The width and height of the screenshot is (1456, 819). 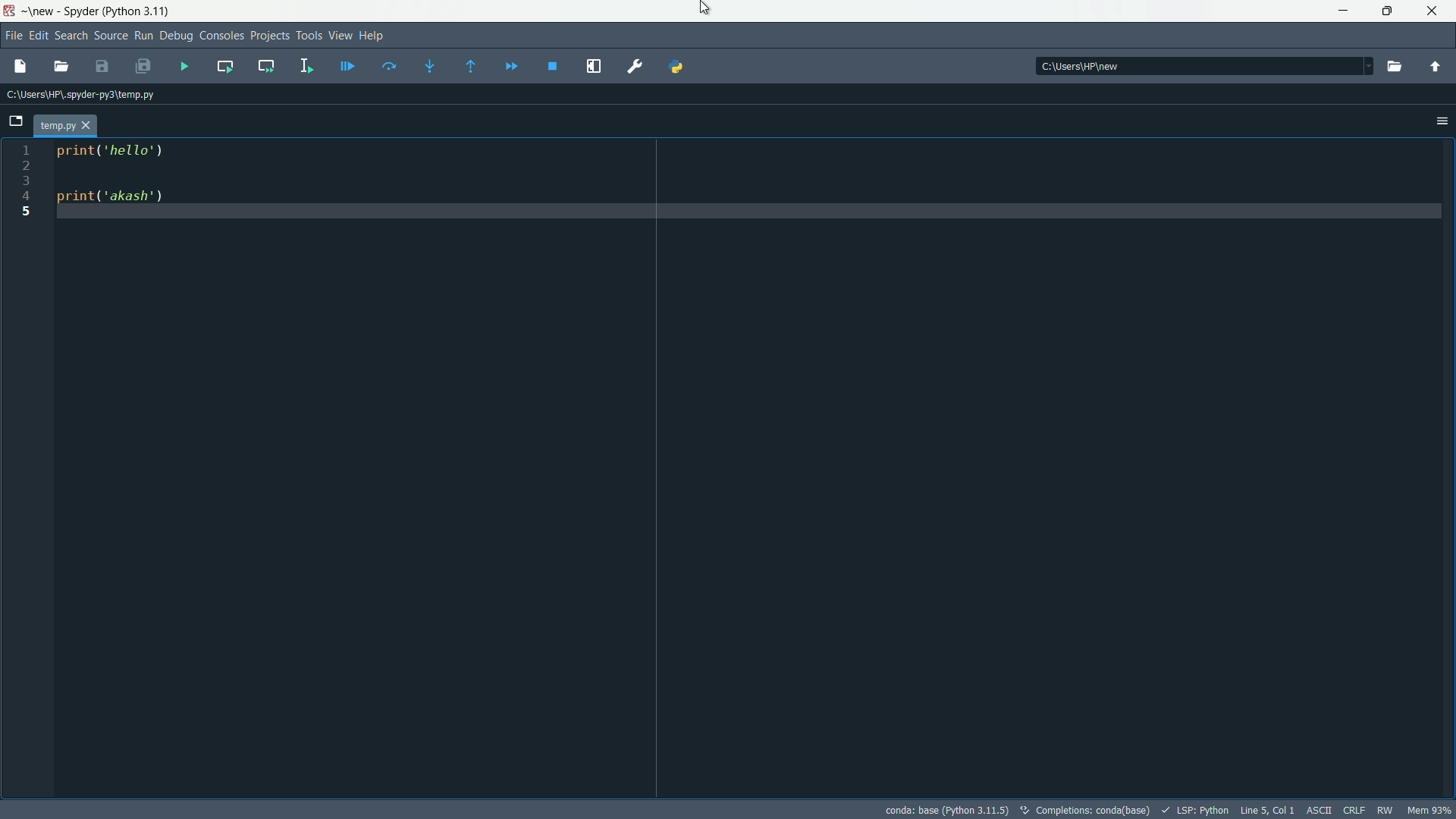 I want to click on file encoding, so click(x=1318, y=811).